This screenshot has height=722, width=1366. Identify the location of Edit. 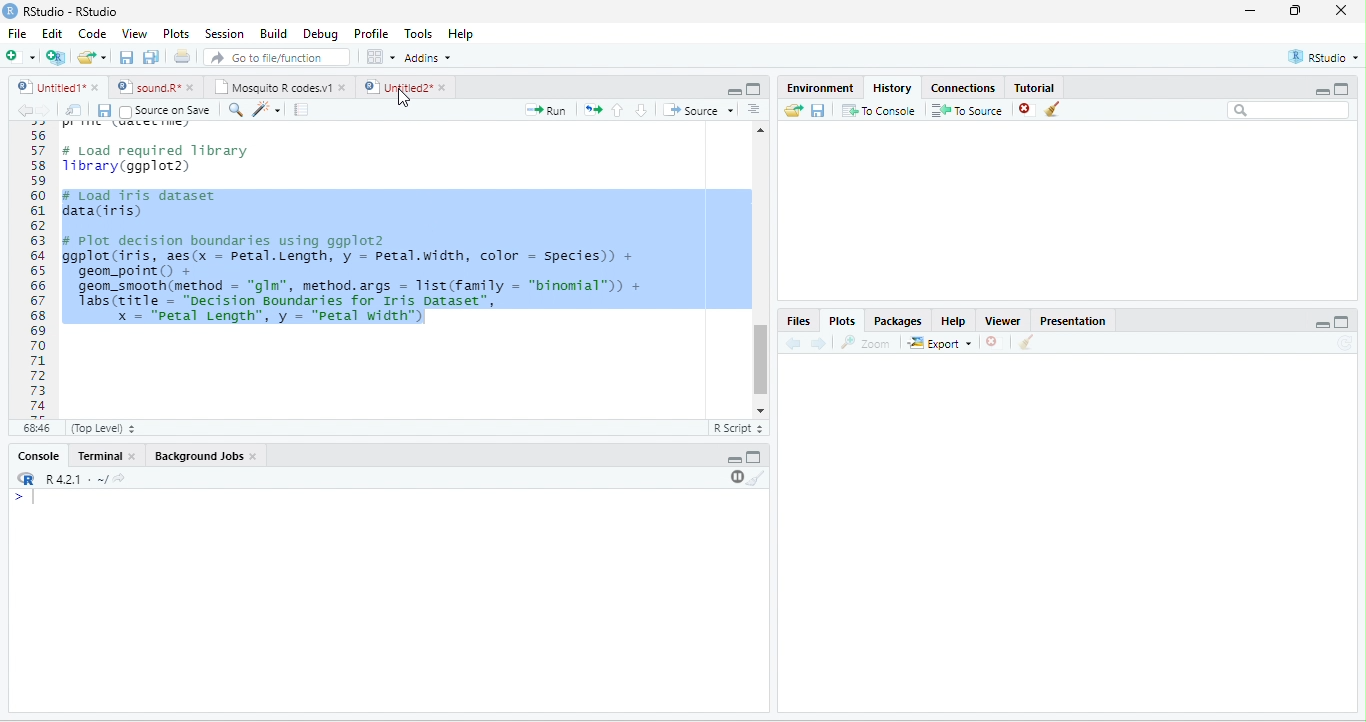
(52, 32).